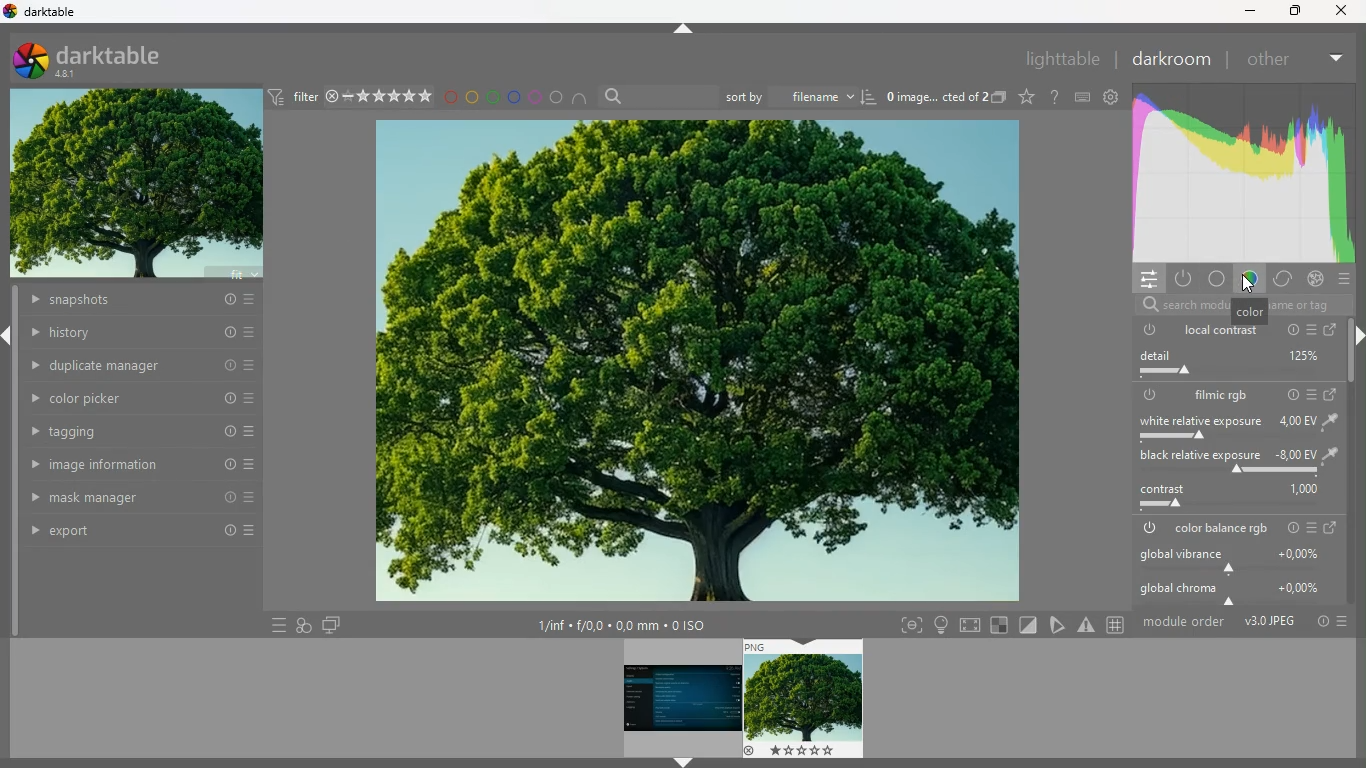 Image resolution: width=1366 pixels, height=768 pixels. What do you see at coordinates (1311, 330) in the screenshot?
I see `menu` at bounding box center [1311, 330].